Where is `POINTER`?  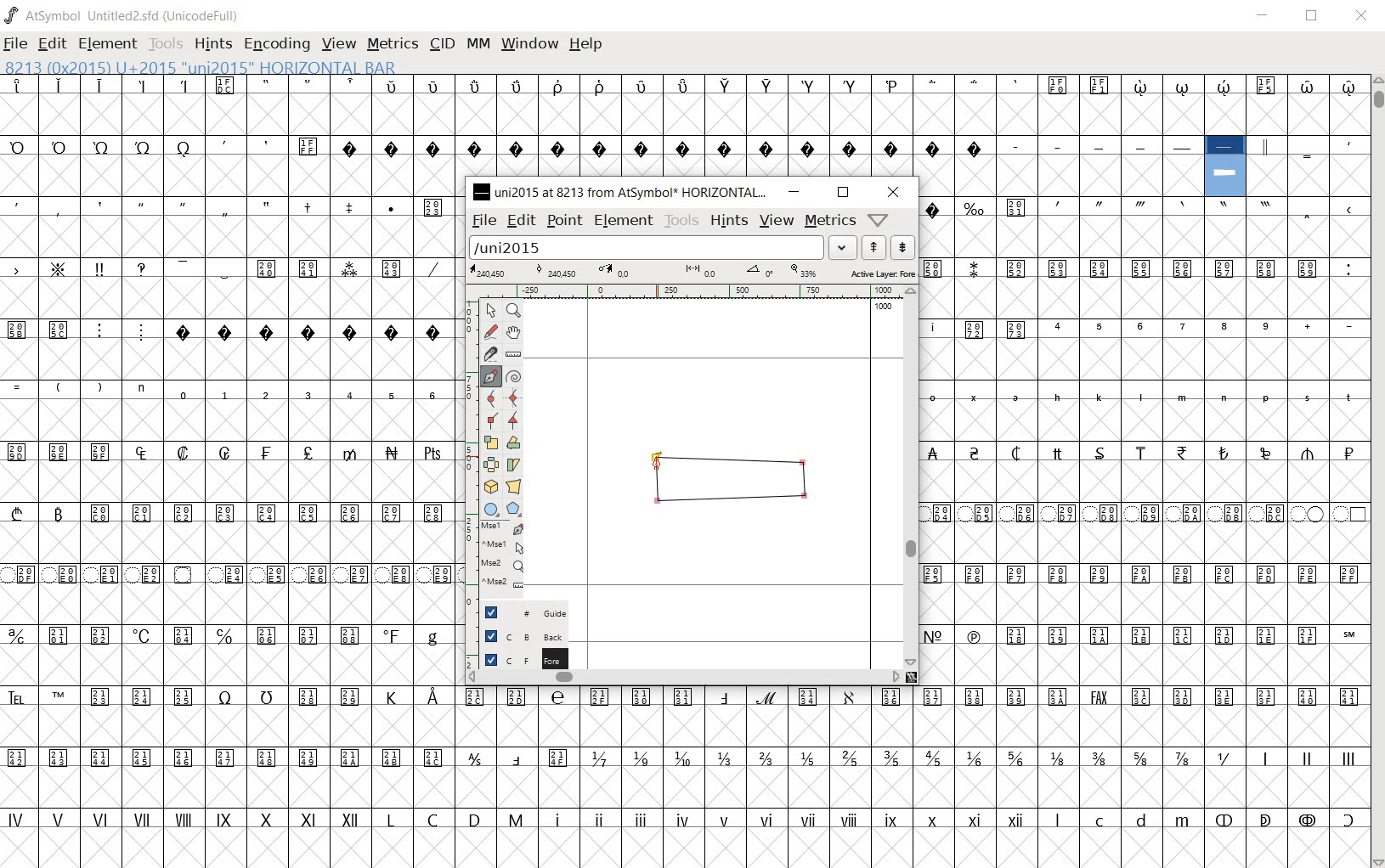
POINTER is located at coordinates (492, 312).